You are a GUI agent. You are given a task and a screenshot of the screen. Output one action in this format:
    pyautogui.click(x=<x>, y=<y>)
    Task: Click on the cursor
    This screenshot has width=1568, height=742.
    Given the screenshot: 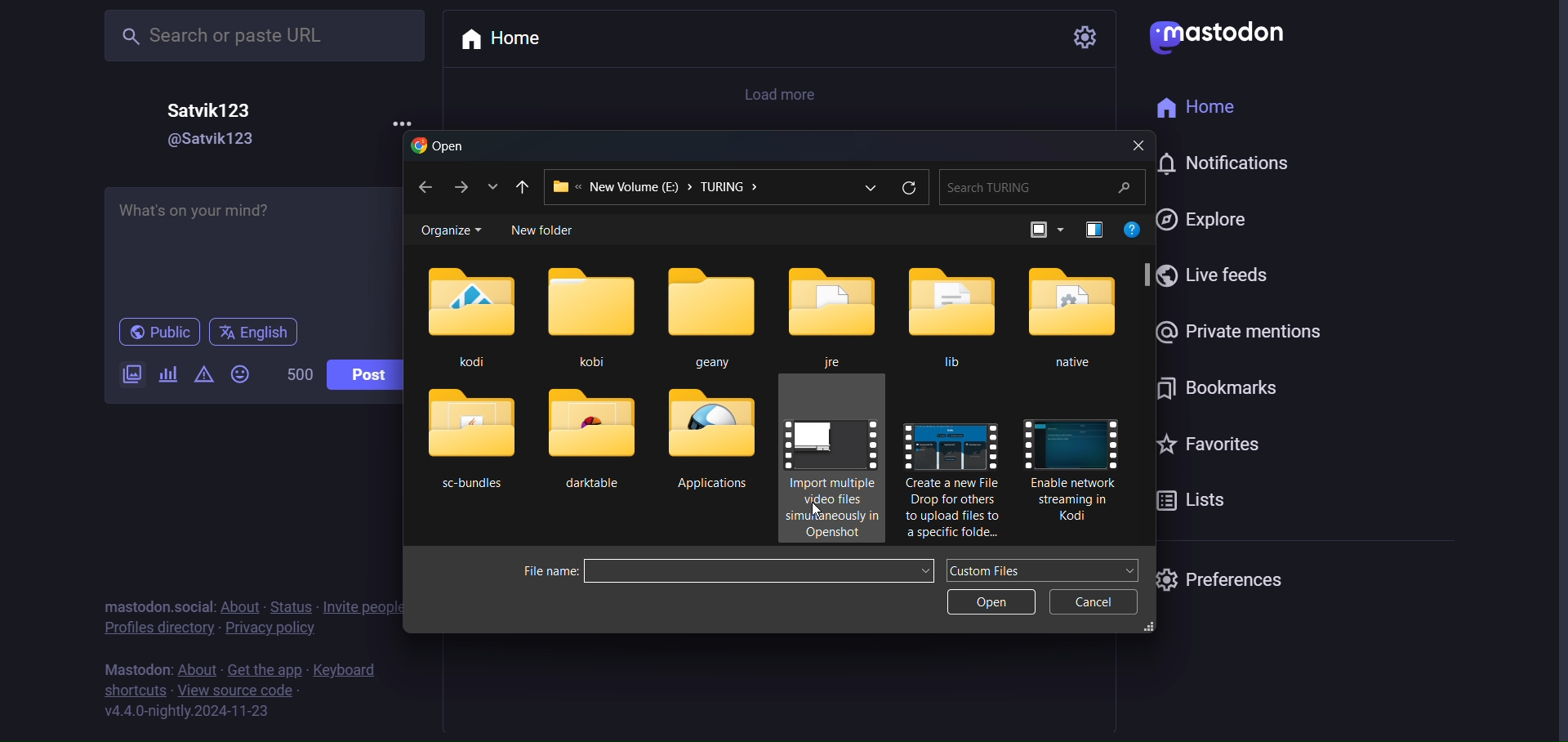 What is the action you would take?
    pyautogui.click(x=815, y=509)
    